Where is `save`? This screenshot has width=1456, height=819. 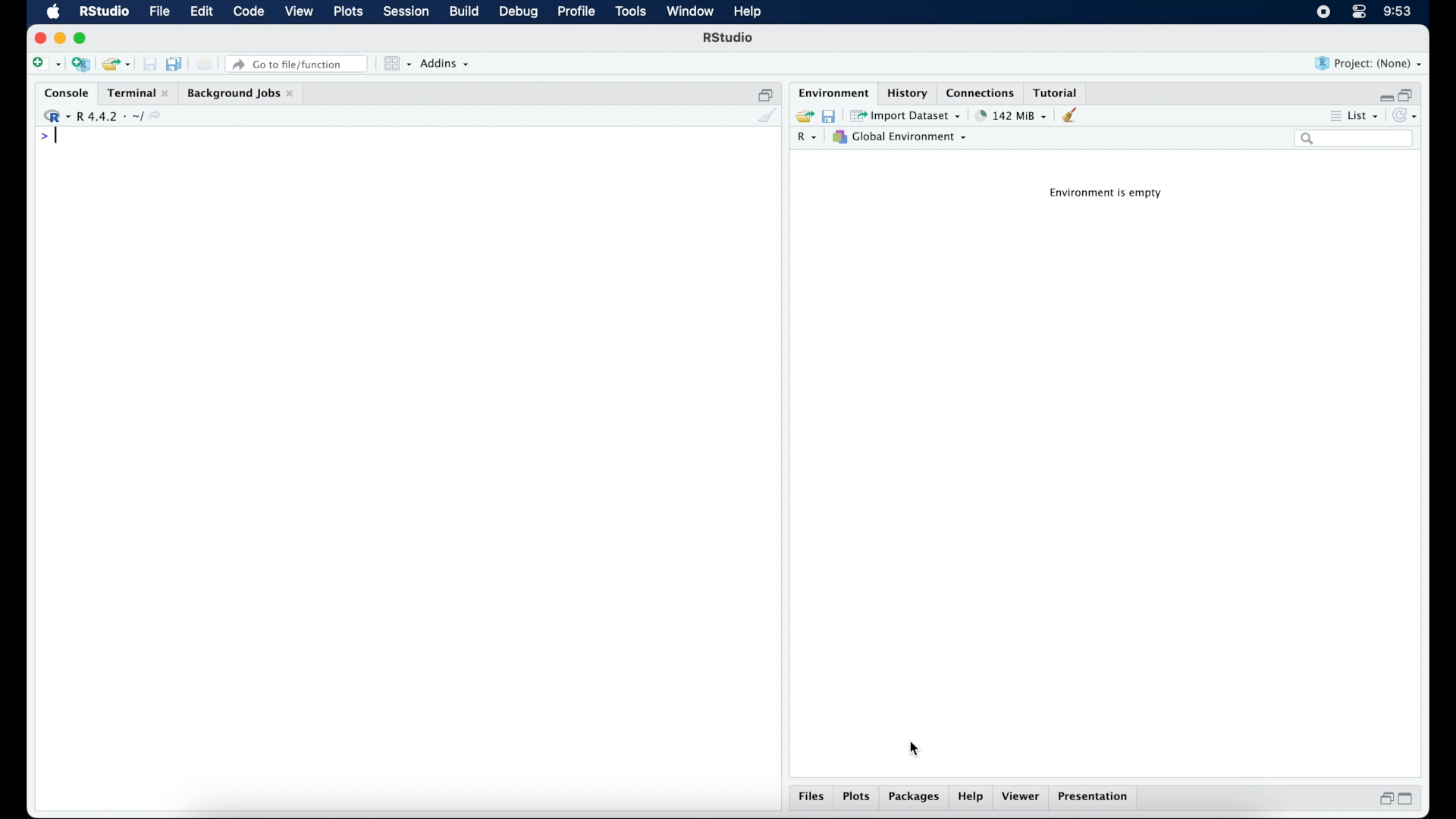 save is located at coordinates (147, 61).